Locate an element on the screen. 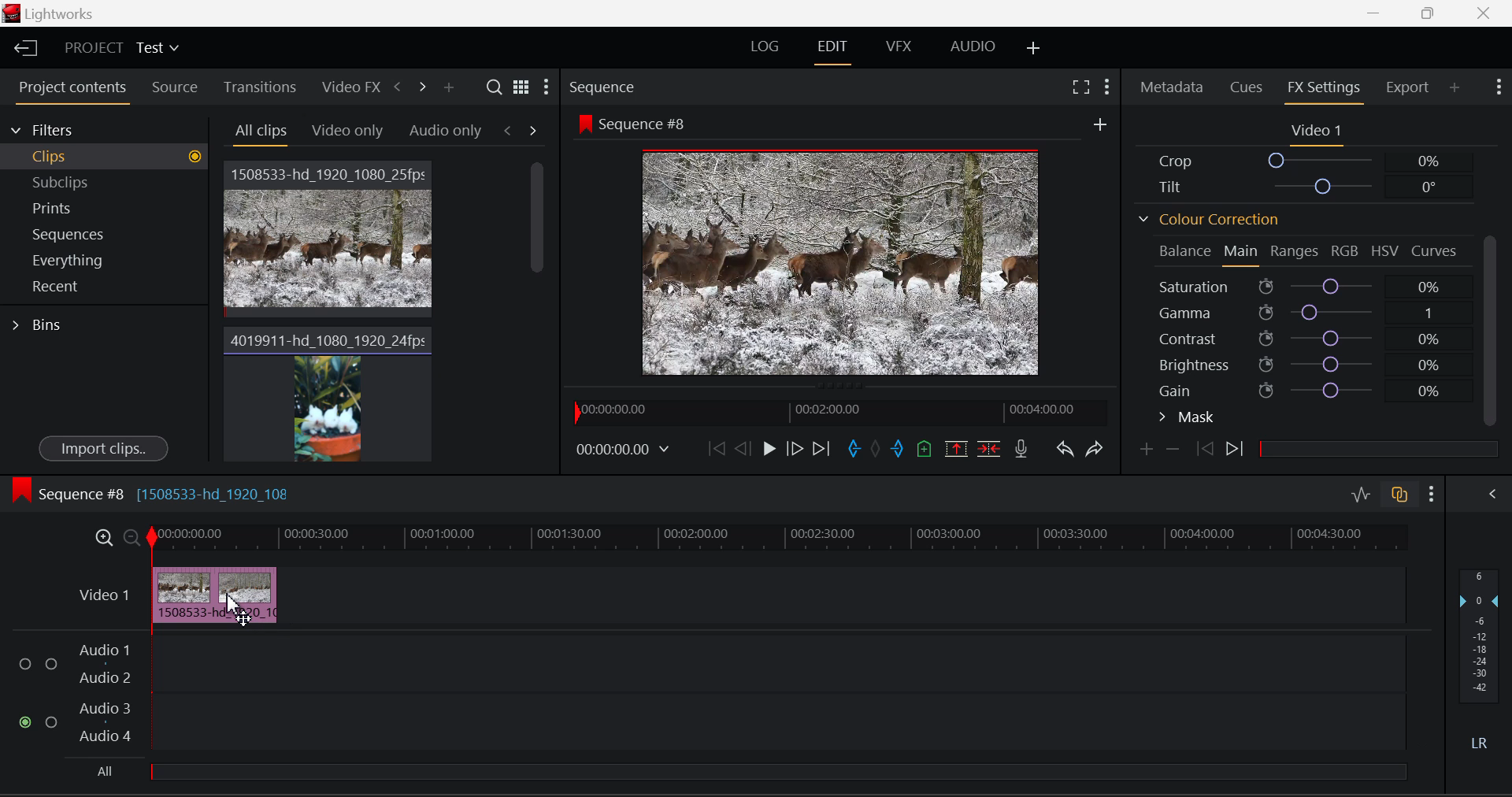 The height and width of the screenshot is (797, 1512). Audio Input Field is located at coordinates (776, 662).